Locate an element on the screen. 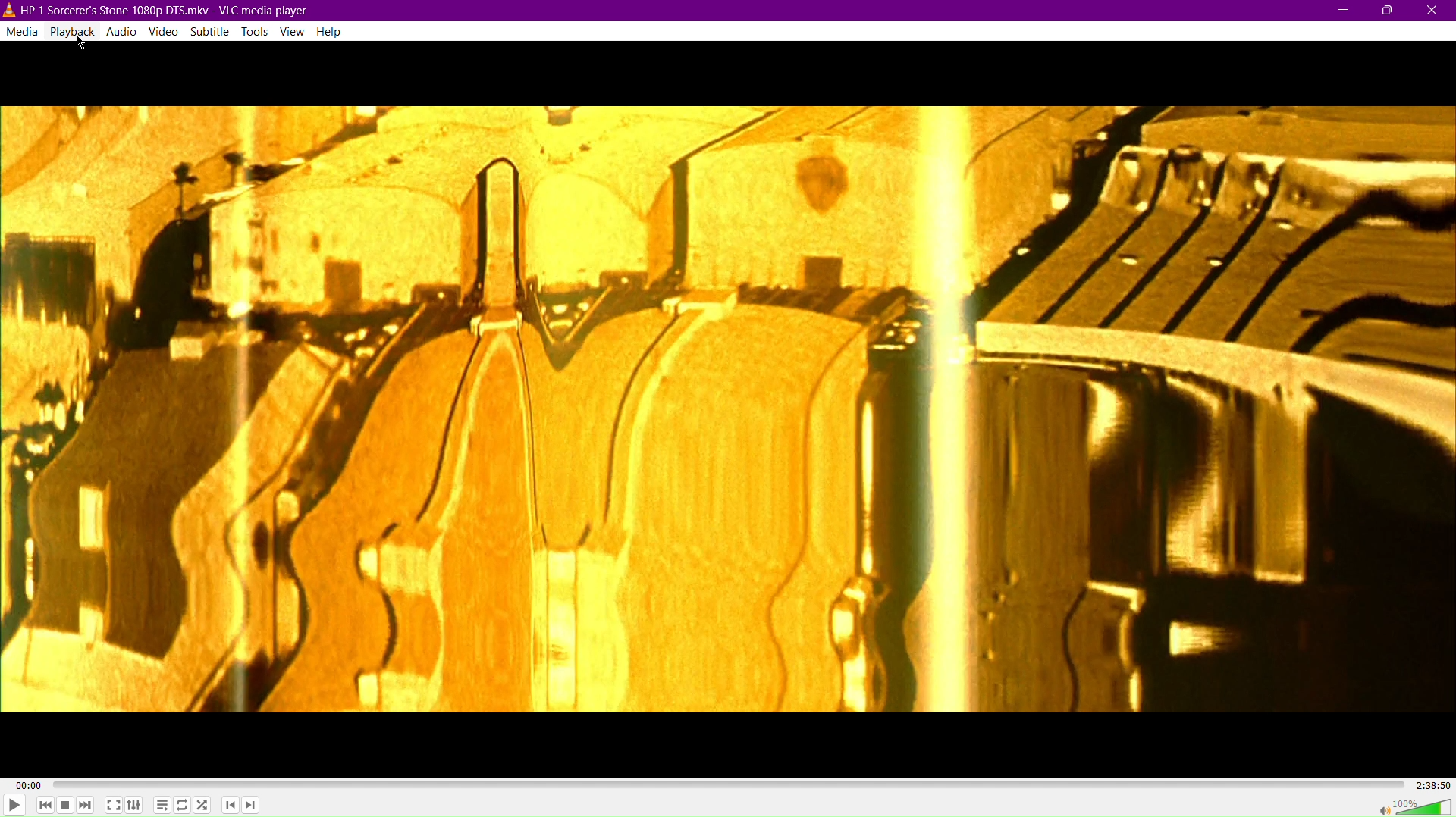 The image size is (1456, 817). Help is located at coordinates (328, 31).